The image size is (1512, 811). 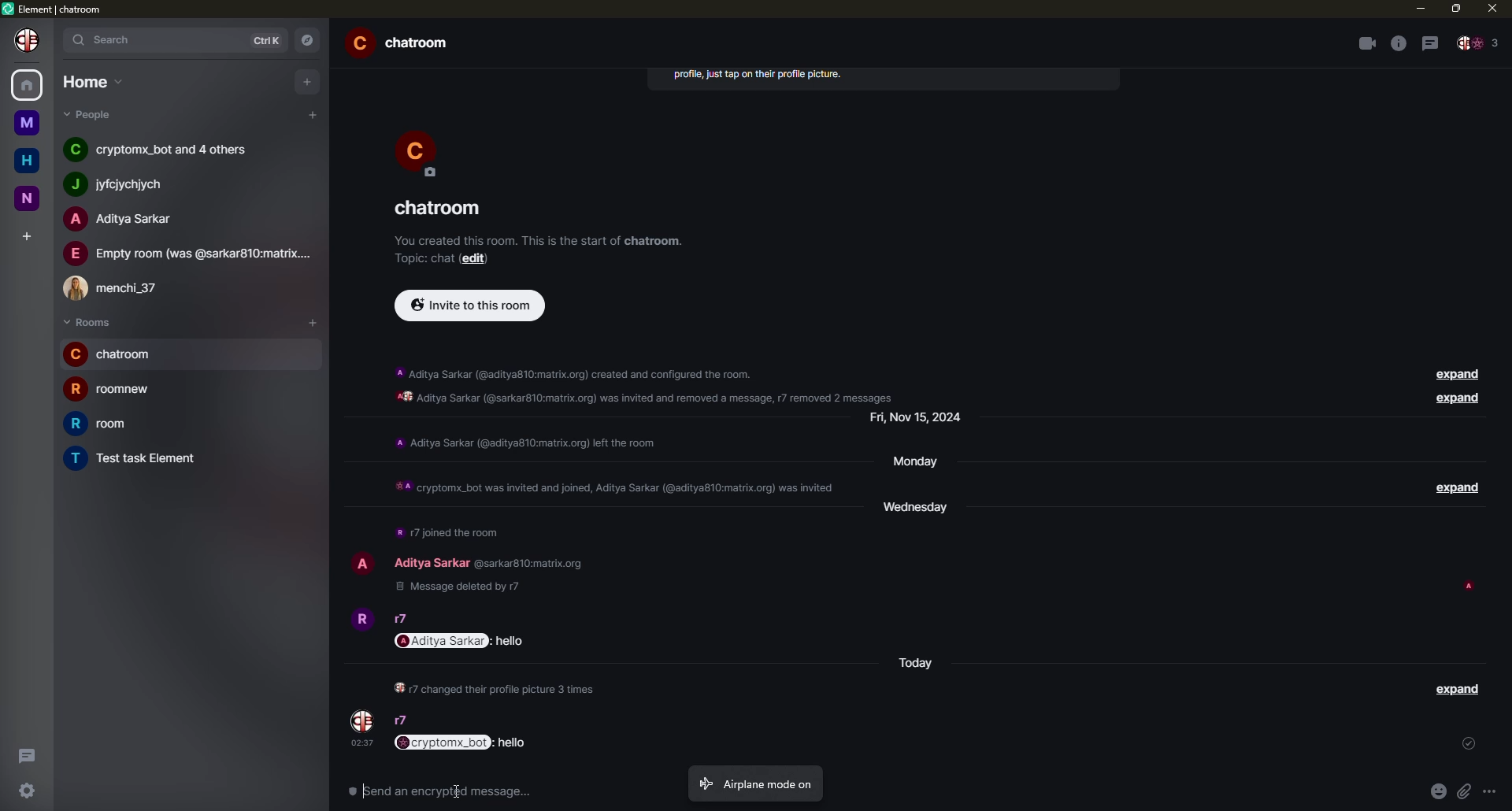 What do you see at coordinates (402, 620) in the screenshot?
I see `people` at bounding box center [402, 620].